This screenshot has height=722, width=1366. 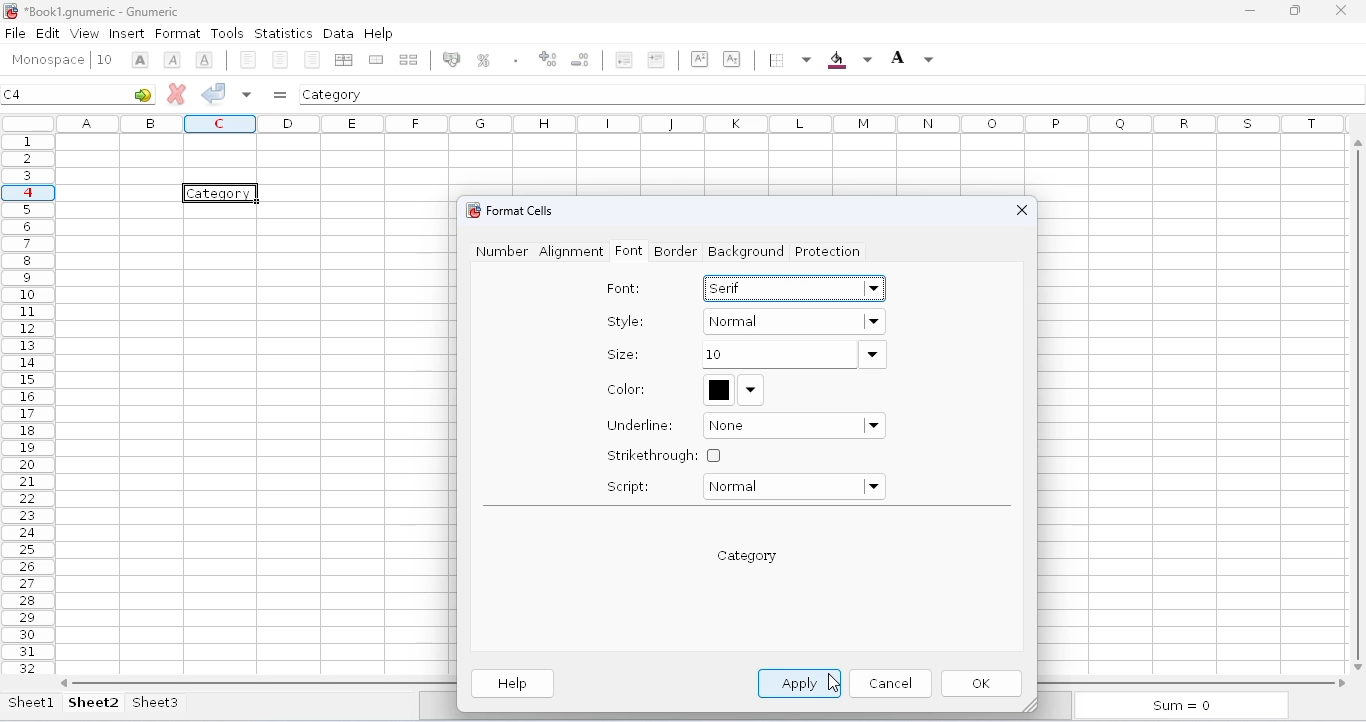 I want to click on C4, so click(x=13, y=94).